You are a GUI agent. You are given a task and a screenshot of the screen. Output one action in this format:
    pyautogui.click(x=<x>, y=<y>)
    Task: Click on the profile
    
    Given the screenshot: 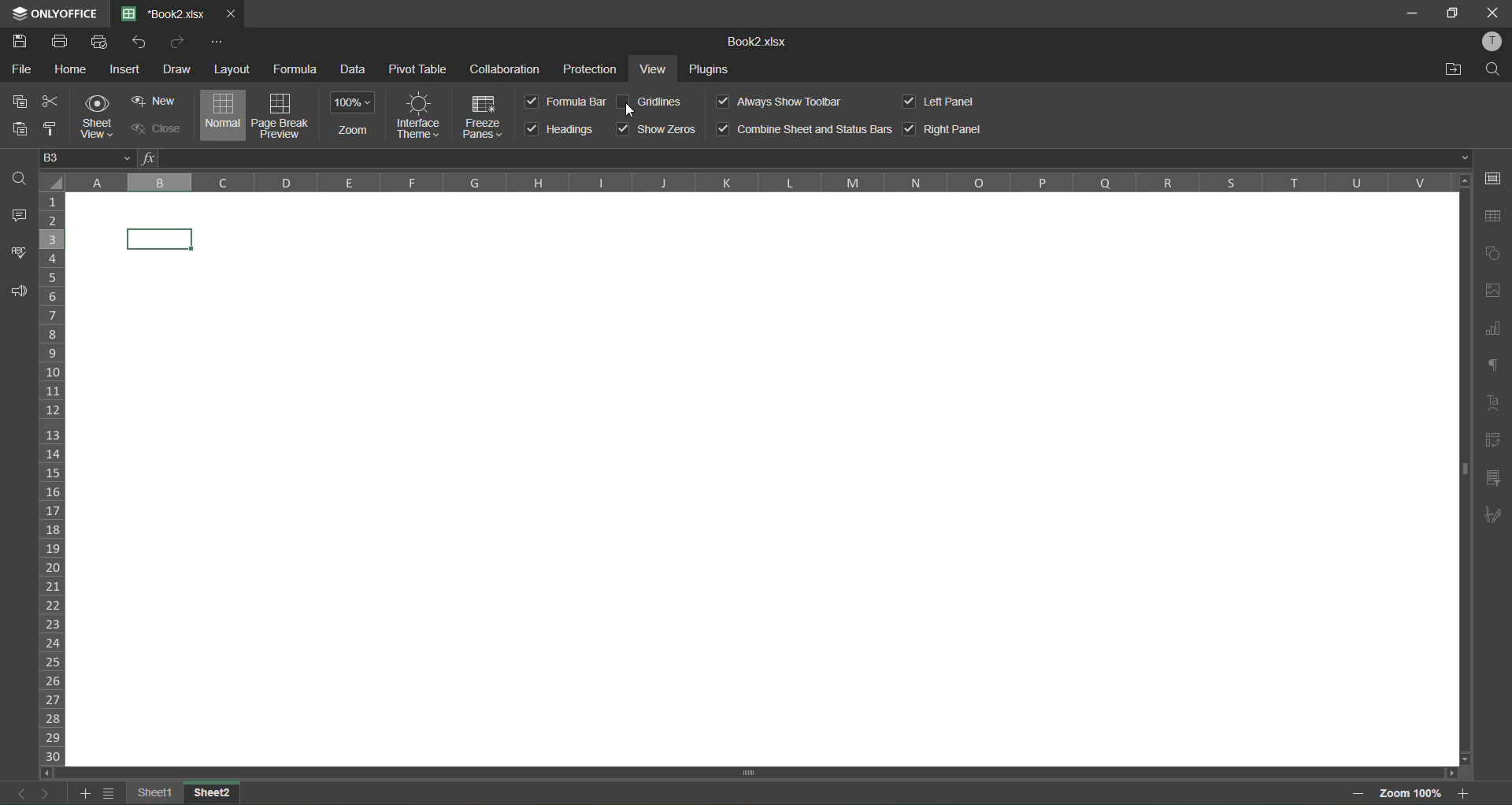 What is the action you would take?
    pyautogui.click(x=1492, y=41)
    